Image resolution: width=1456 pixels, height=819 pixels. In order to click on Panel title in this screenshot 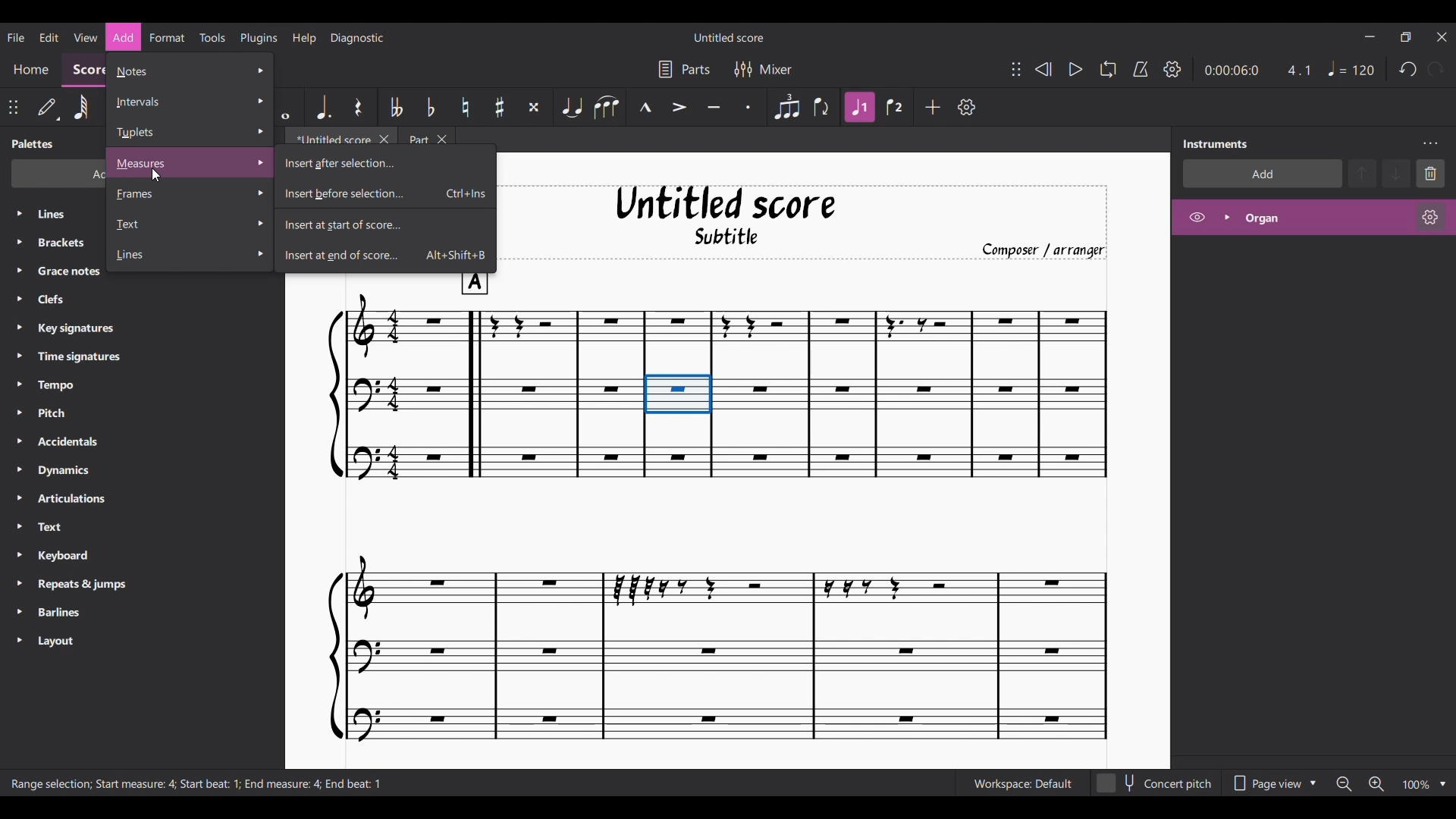, I will do `click(1214, 143)`.